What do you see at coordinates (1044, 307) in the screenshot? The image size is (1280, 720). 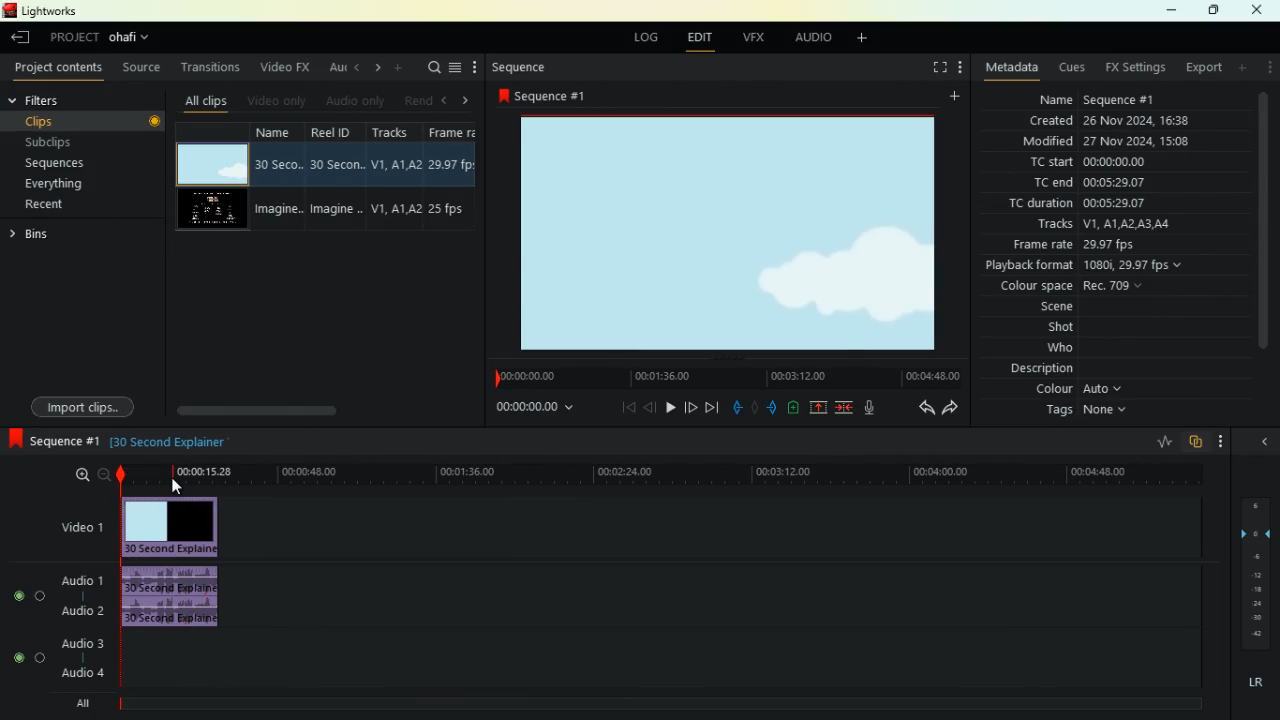 I see `scene` at bounding box center [1044, 307].